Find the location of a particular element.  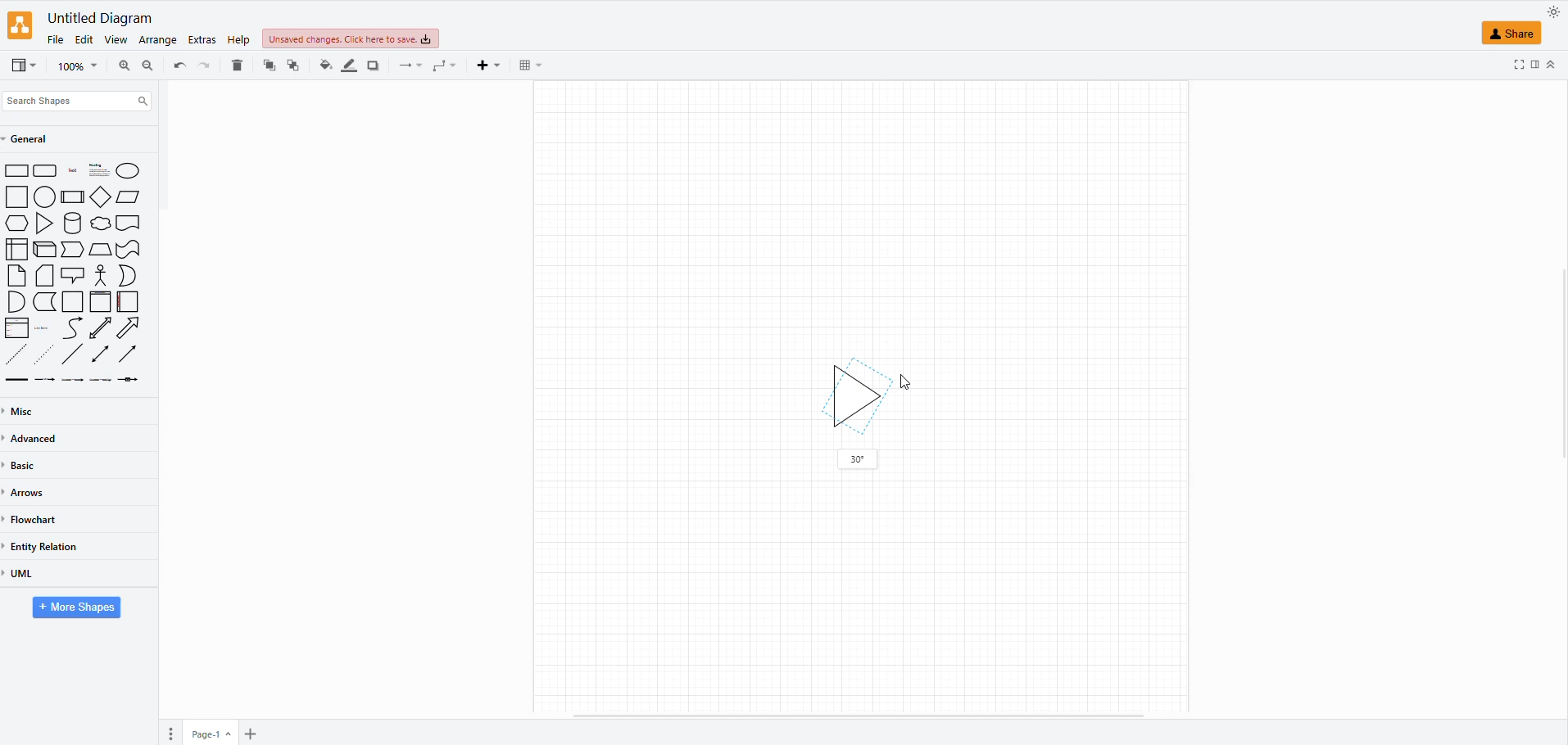

arrows is located at coordinates (32, 492).